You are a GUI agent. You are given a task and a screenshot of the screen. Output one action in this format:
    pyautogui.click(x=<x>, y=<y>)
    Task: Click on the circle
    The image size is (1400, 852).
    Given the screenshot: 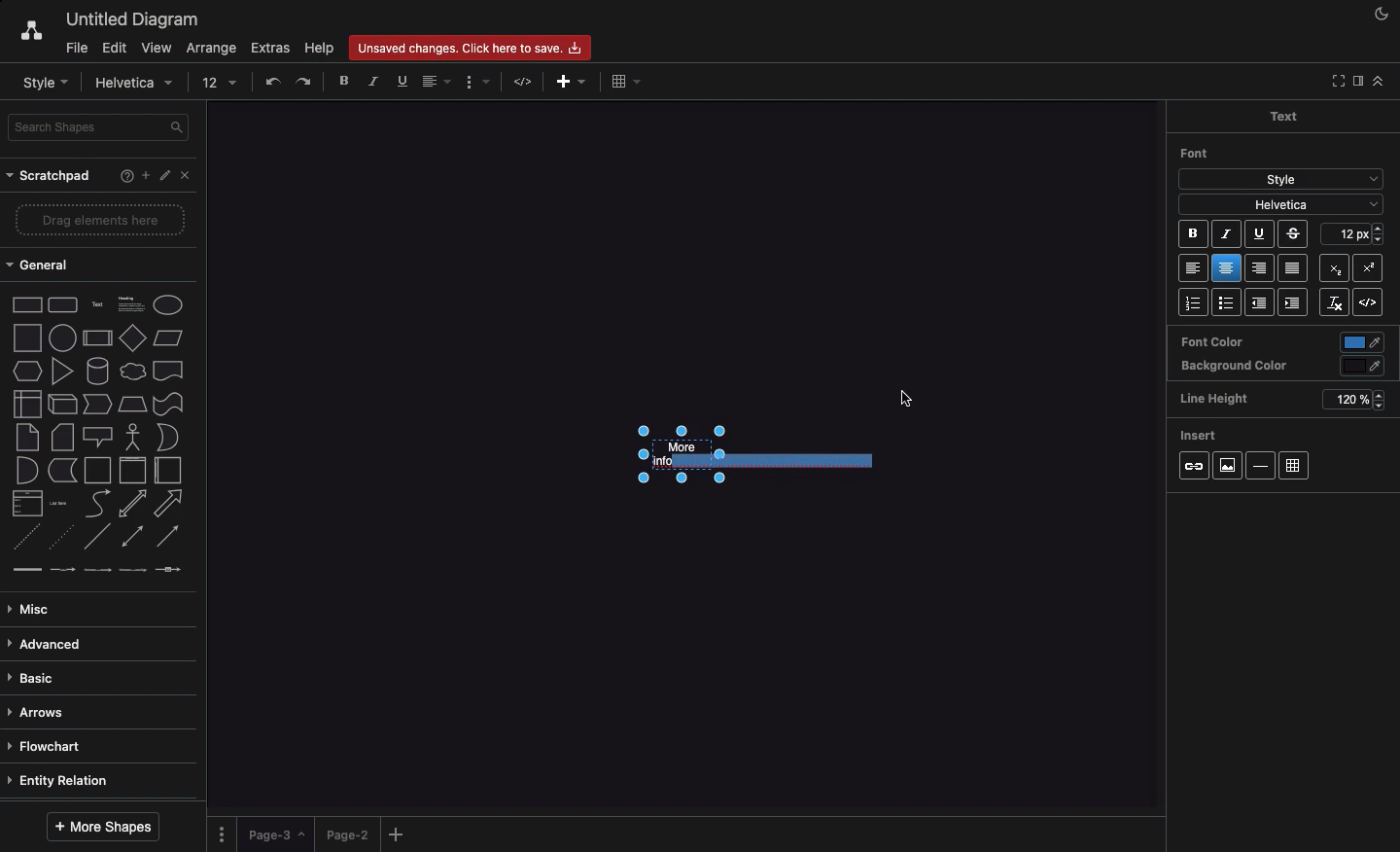 What is the action you would take?
    pyautogui.click(x=62, y=337)
    